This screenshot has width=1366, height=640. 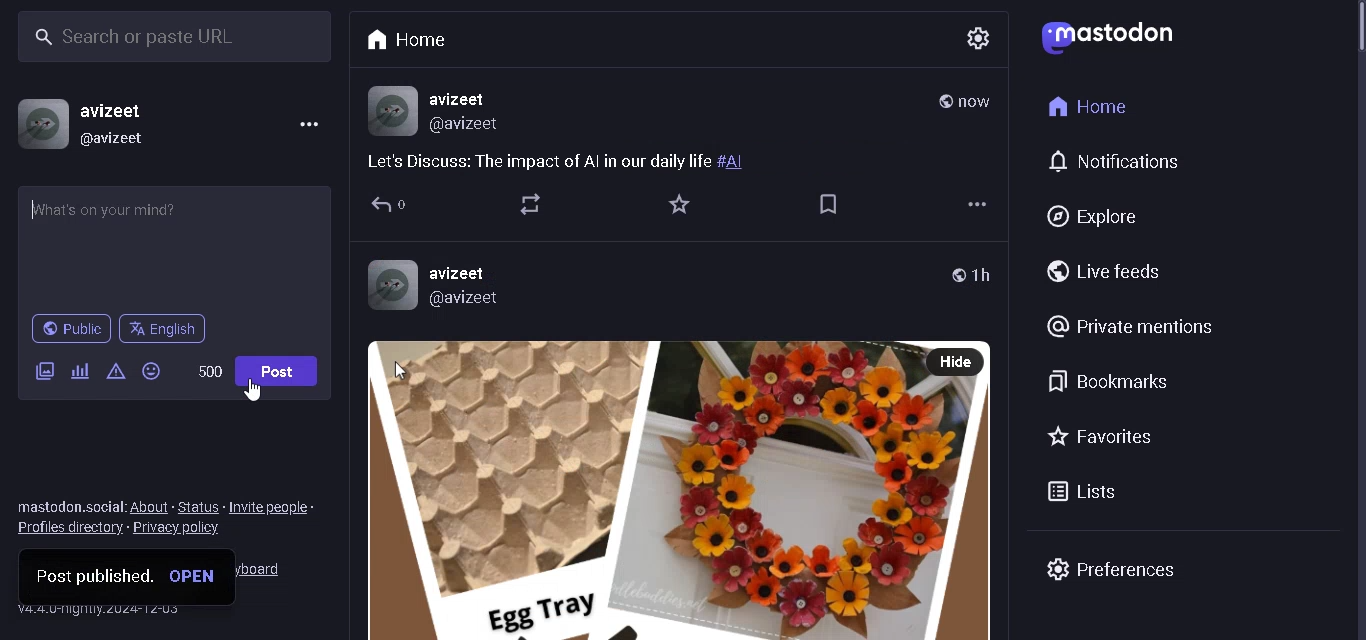 I want to click on public post, so click(x=951, y=274).